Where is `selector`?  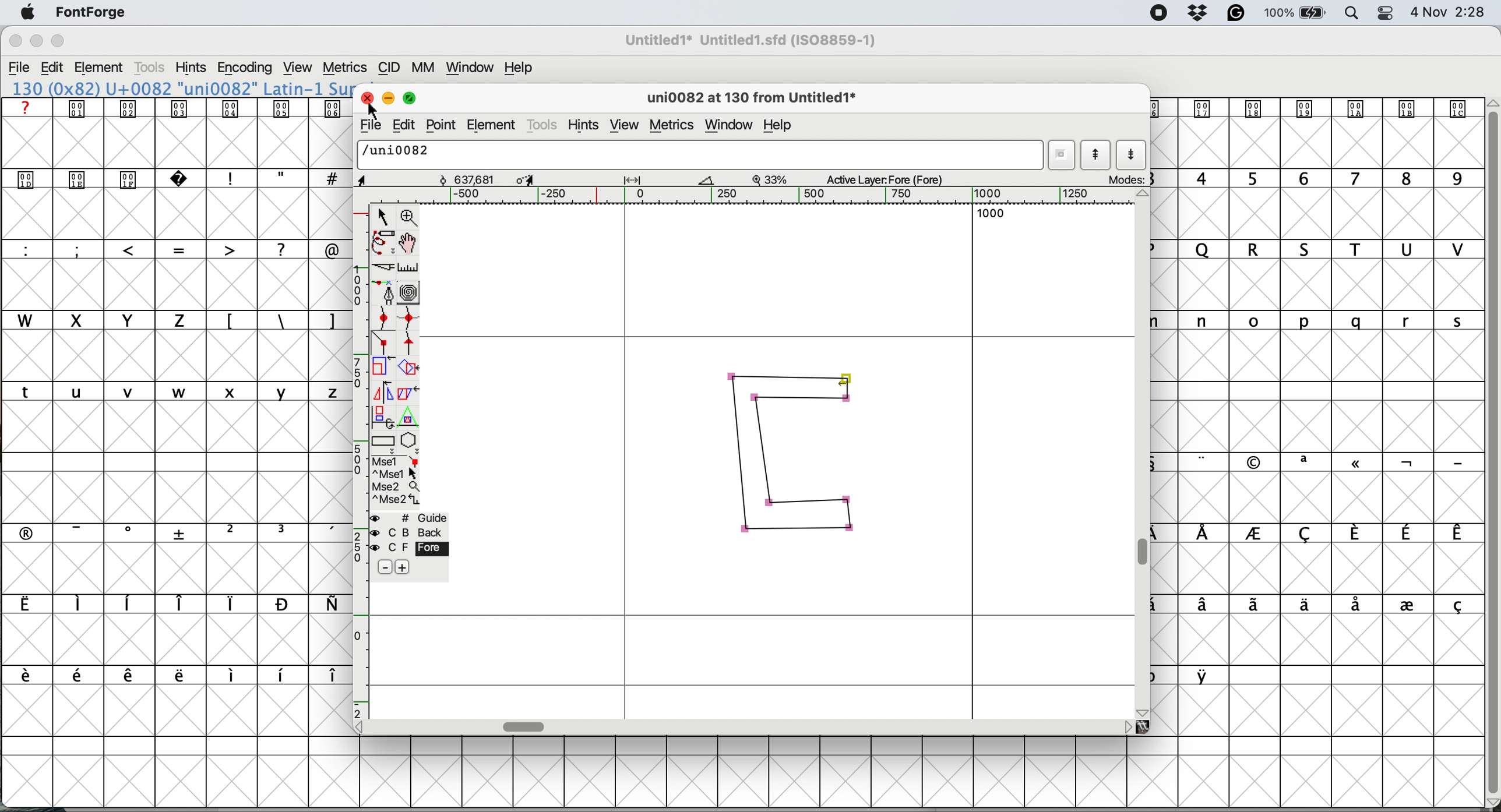 selector is located at coordinates (382, 218).